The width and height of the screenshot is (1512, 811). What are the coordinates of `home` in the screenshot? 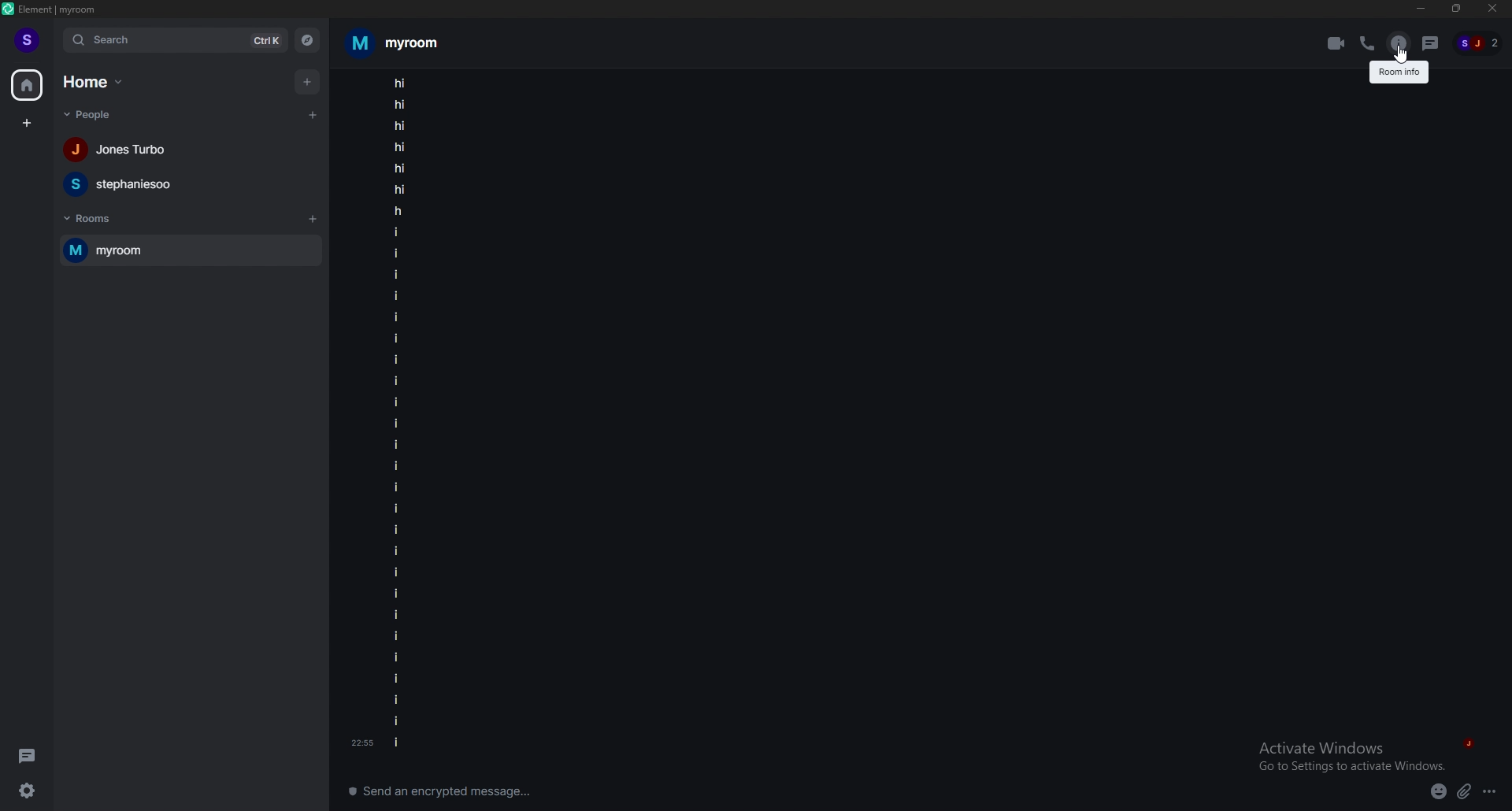 It's located at (94, 83).